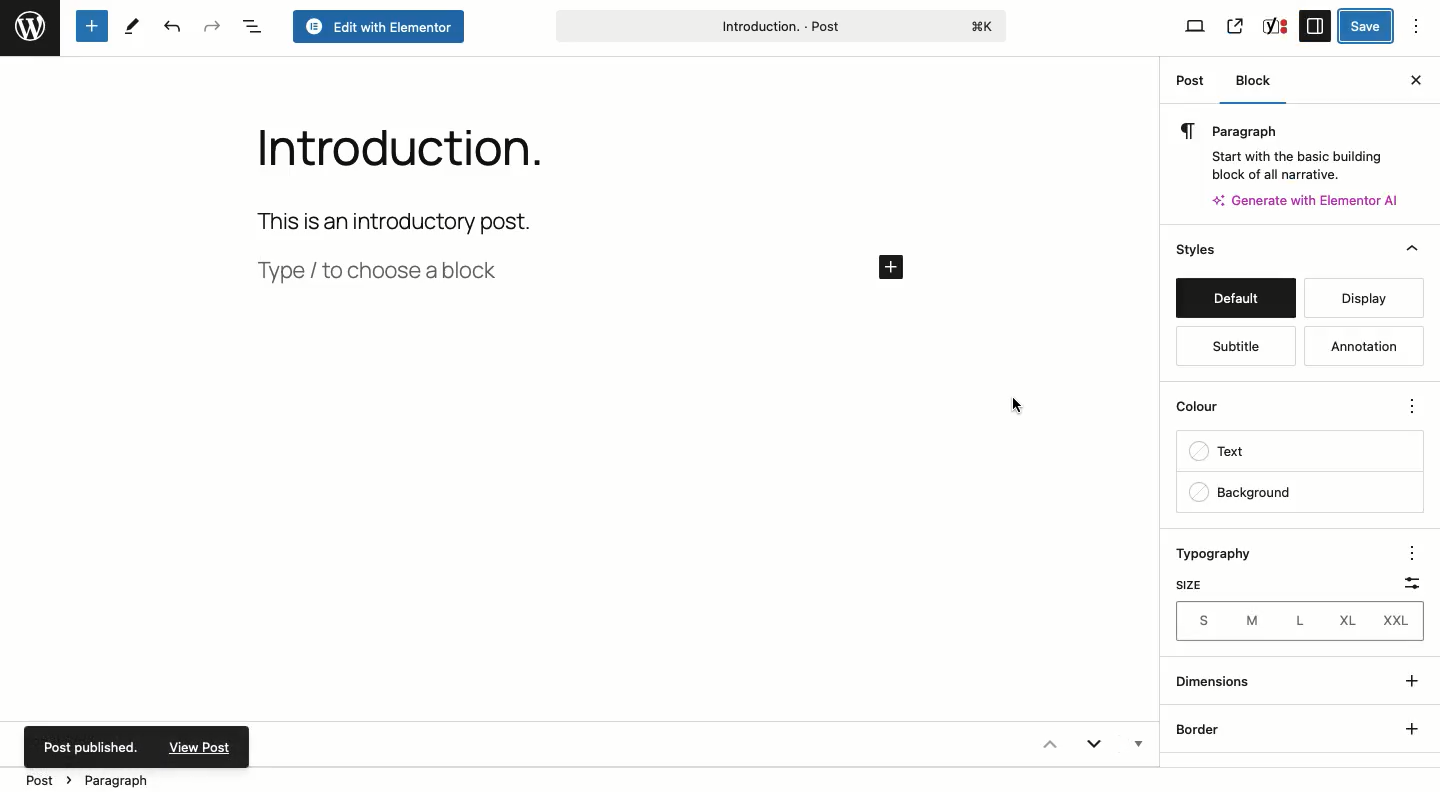  What do you see at coordinates (384, 274) in the screenshot?
I see `Type / to choose a block` at bounding box center [384, 274].